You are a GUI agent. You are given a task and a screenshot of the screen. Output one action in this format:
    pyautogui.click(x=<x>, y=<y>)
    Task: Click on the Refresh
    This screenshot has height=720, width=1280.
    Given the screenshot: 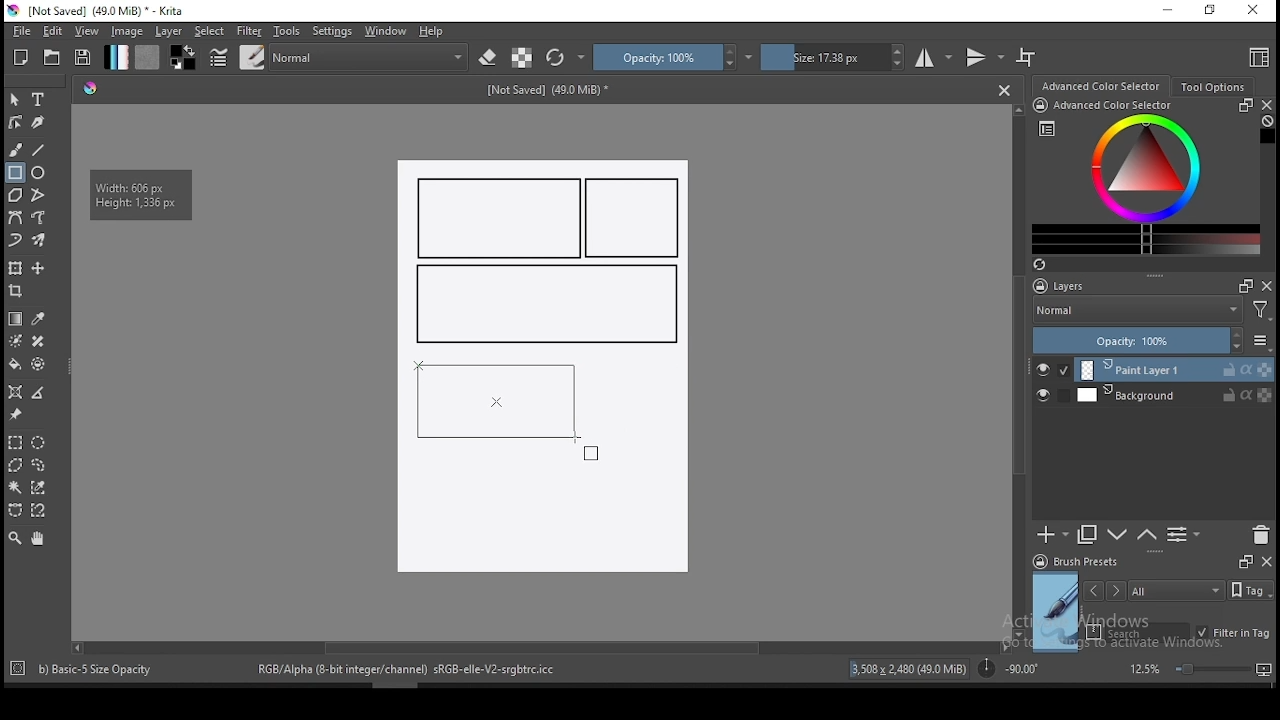 What is the action you would take?
    pyautogui.click(x=1047, y=266)
    